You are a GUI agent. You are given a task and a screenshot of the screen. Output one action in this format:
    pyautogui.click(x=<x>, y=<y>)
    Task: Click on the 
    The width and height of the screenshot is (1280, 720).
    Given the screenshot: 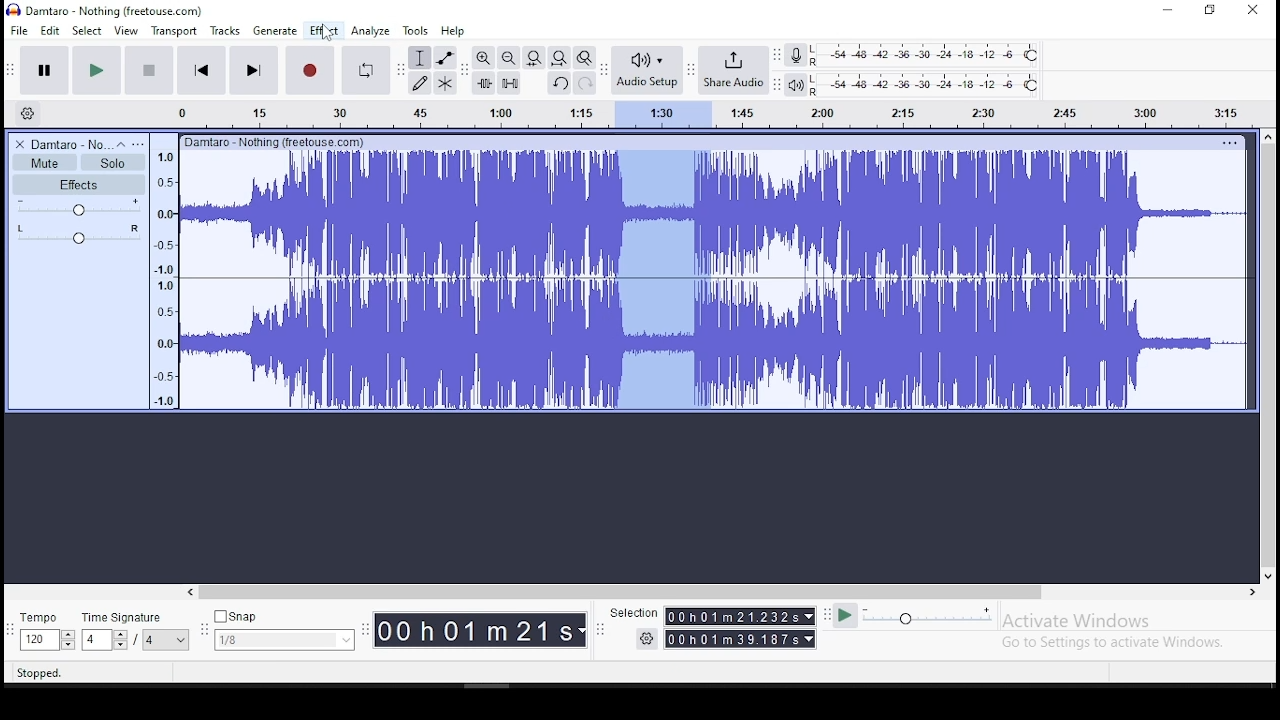 What is the action you would take?
    pyautogui.click(x=11, y=68)
    